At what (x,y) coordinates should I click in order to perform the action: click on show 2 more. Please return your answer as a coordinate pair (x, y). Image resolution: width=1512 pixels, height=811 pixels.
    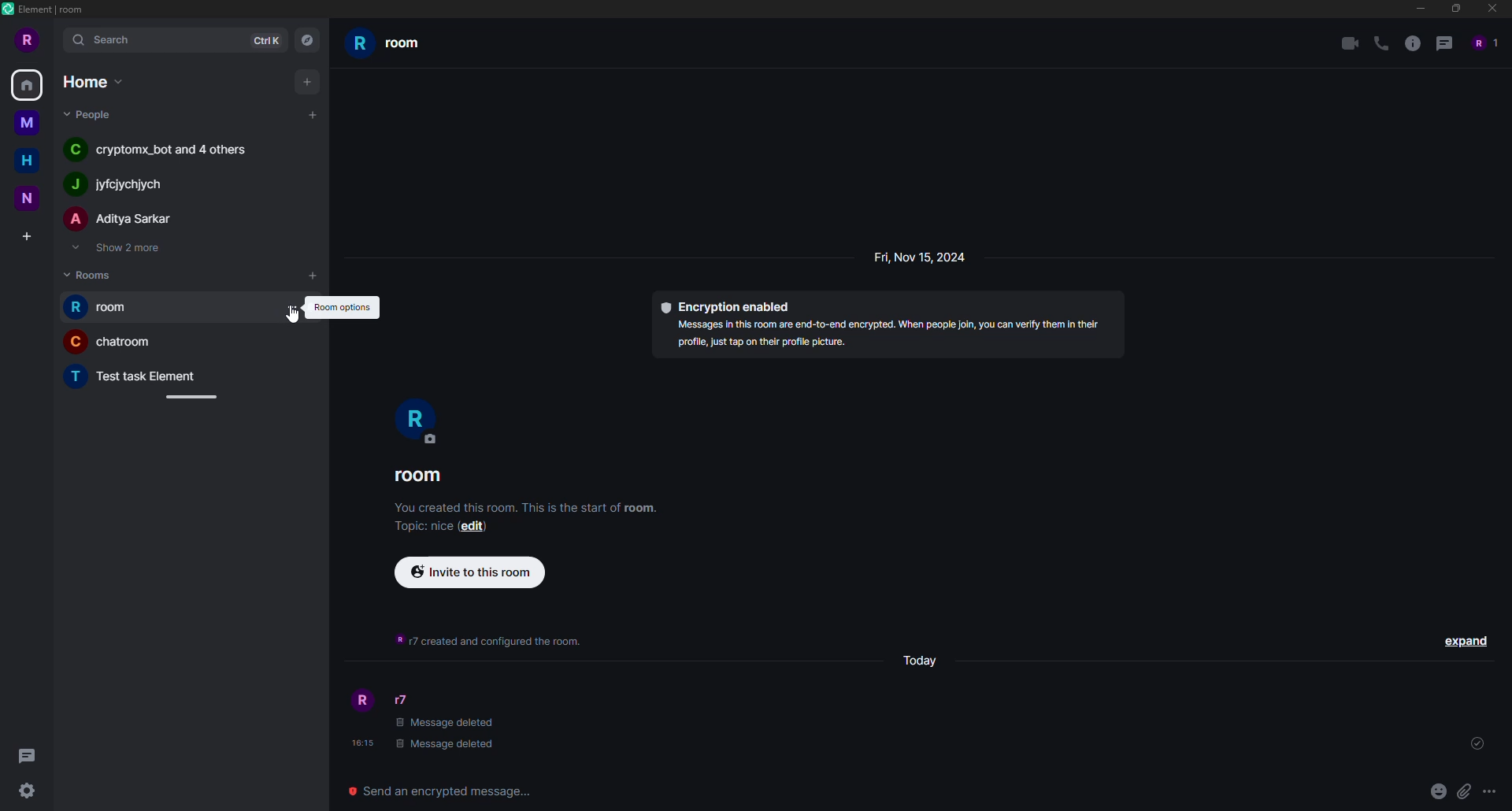
    Looking at the image, I should click on (120, 249).